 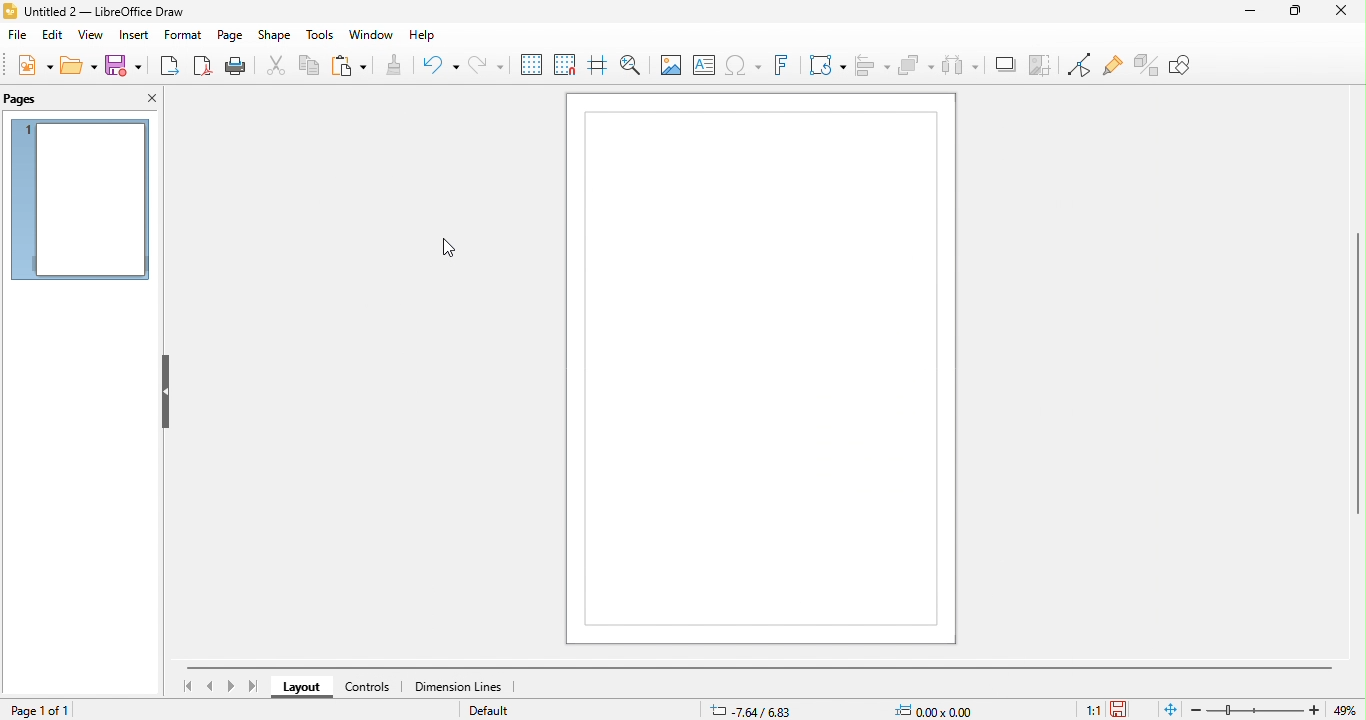 I want to click on snap to grid, so click(x=564, y=64).